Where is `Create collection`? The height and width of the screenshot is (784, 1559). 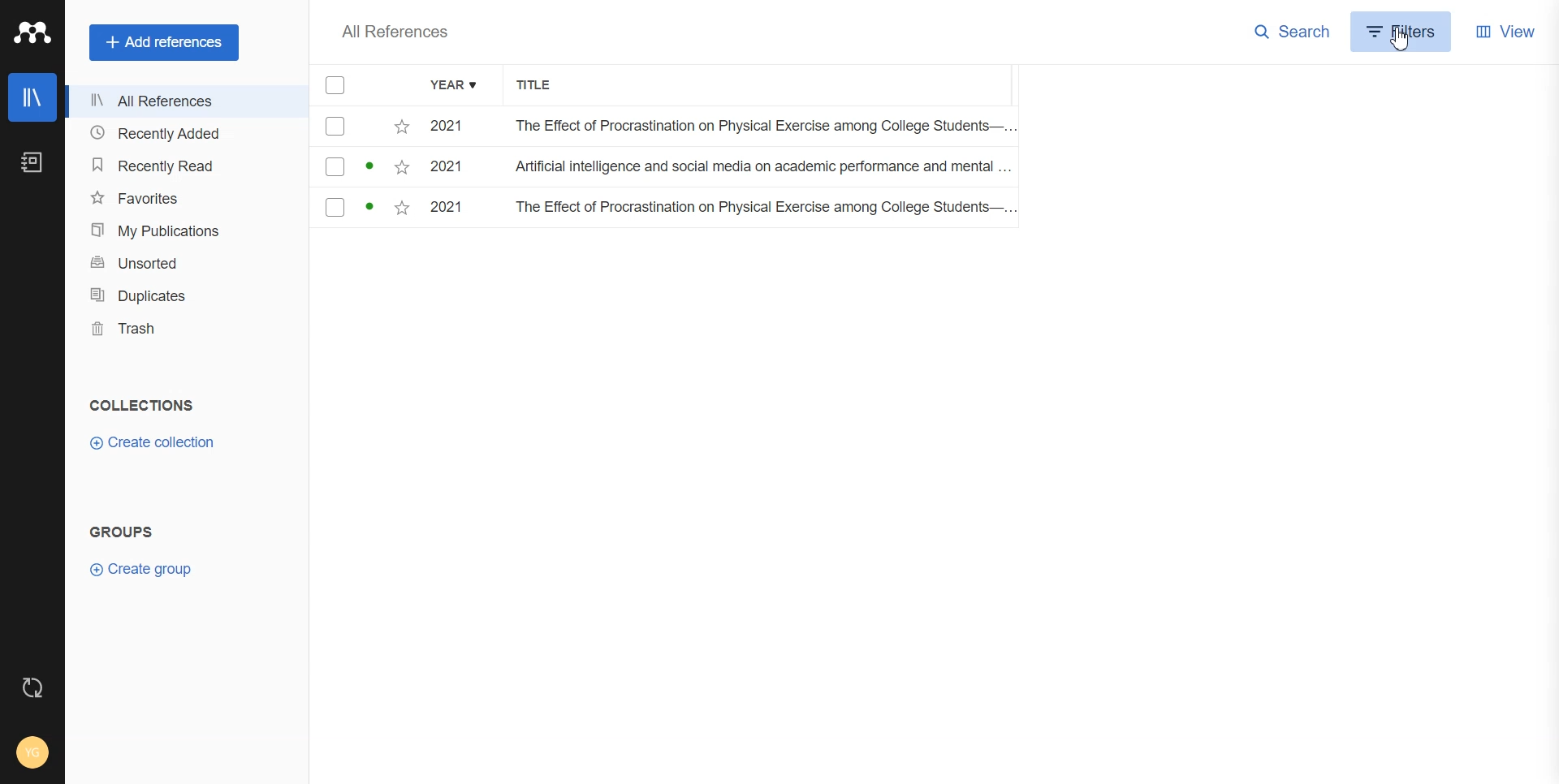 Create collection is located at coordinates (152, 443).